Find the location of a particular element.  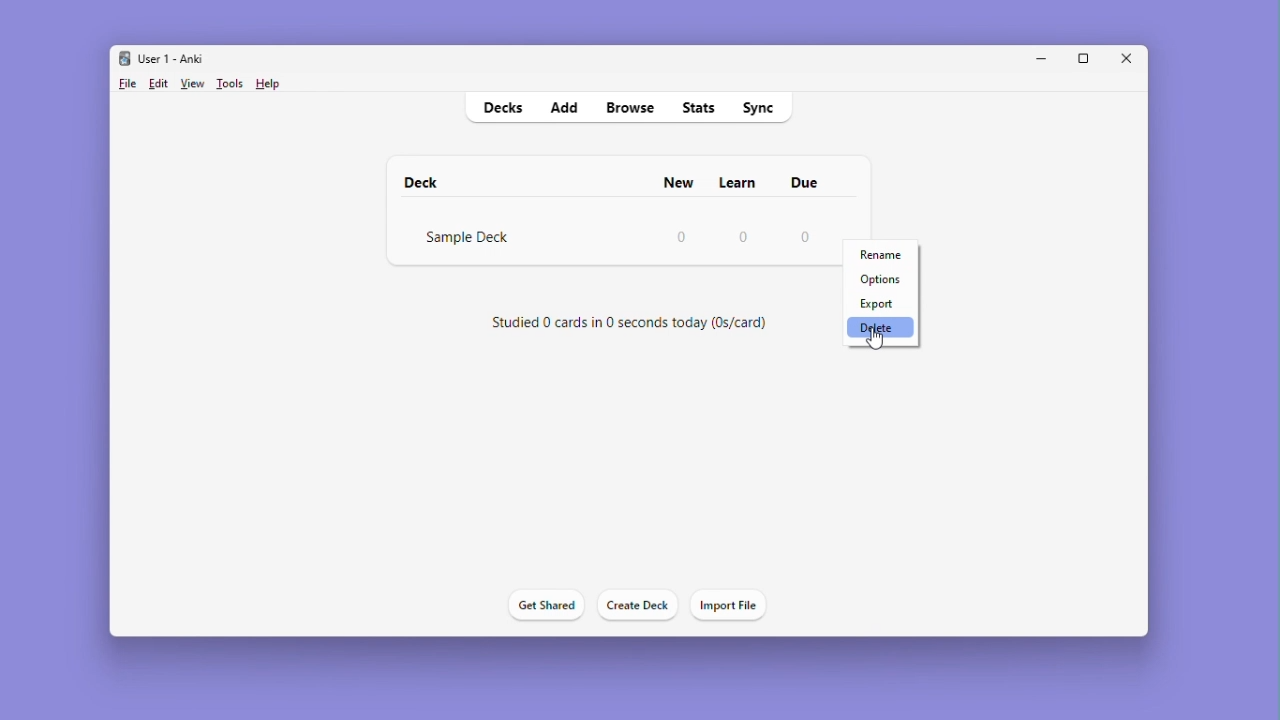

Rename is located at coordinates (883, 256).